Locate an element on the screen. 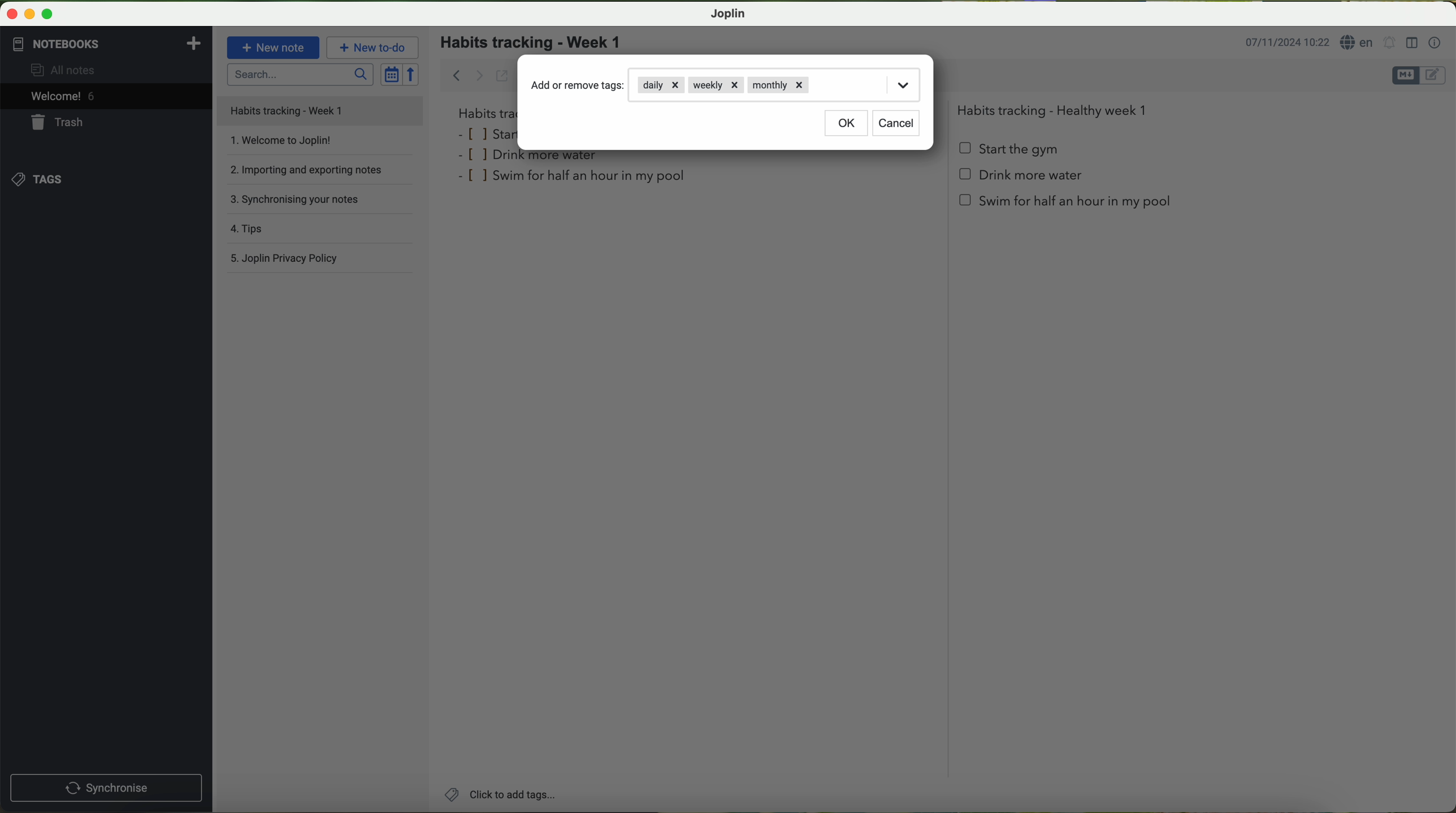 The image size is (1456, 813). welcome to Joplin is located at coordinates (319, 145).